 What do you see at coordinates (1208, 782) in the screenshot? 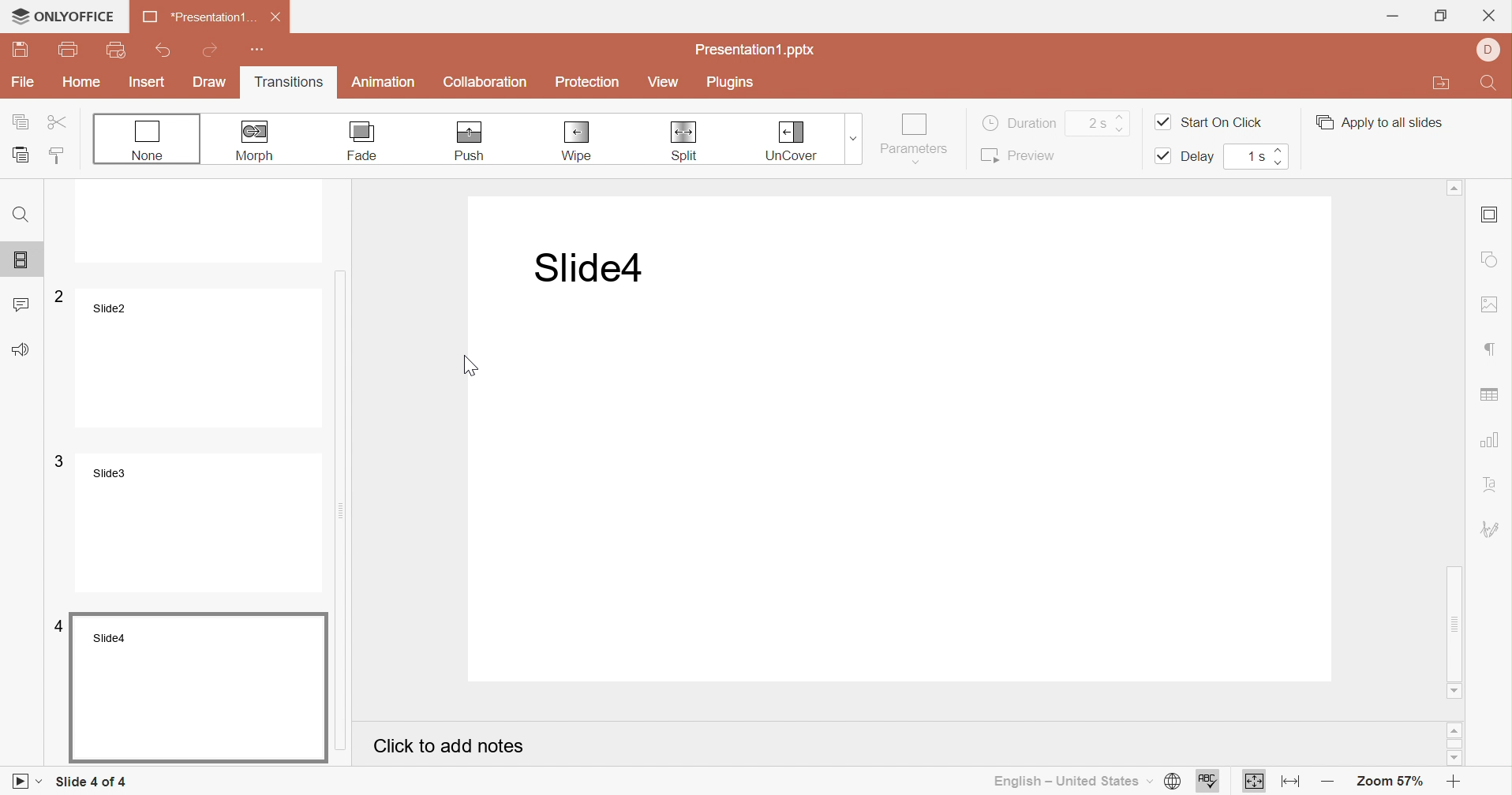
I see `Spell checking` at bounding box center [1208, 782].